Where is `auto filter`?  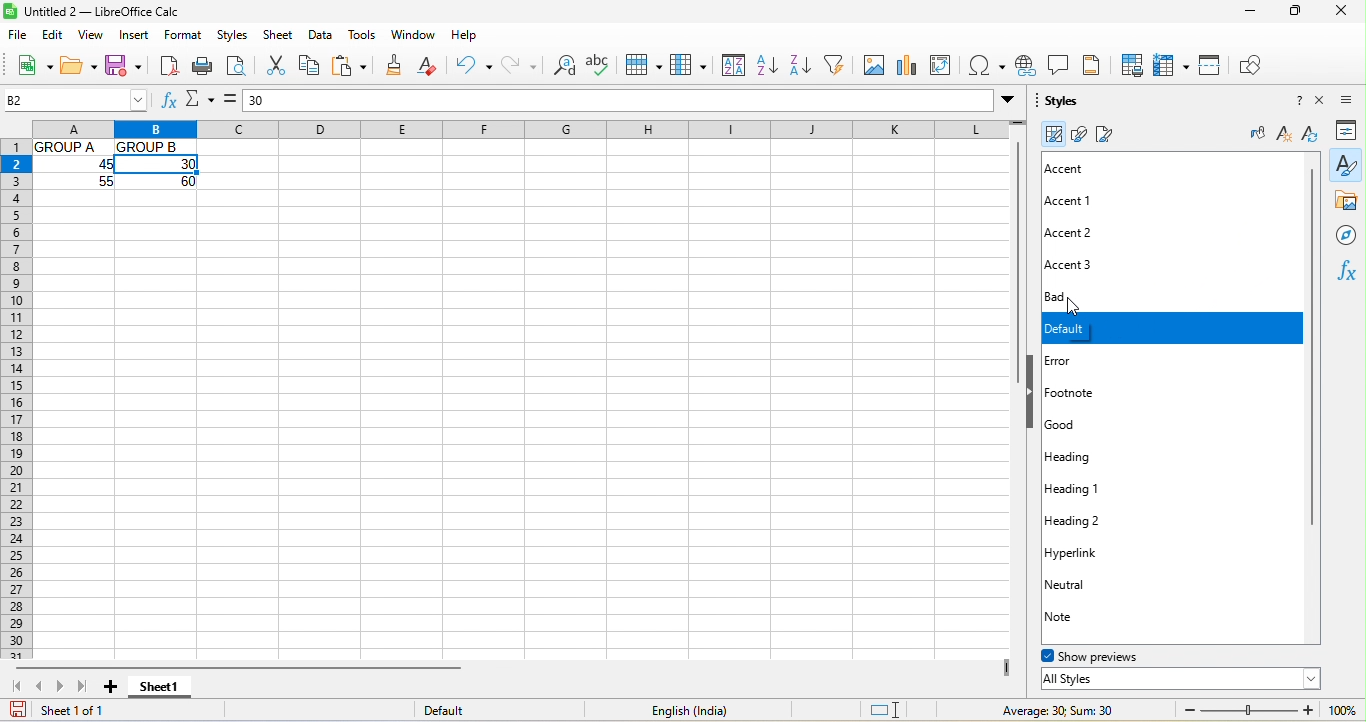 auto filter is located at coordinates (839, 64).